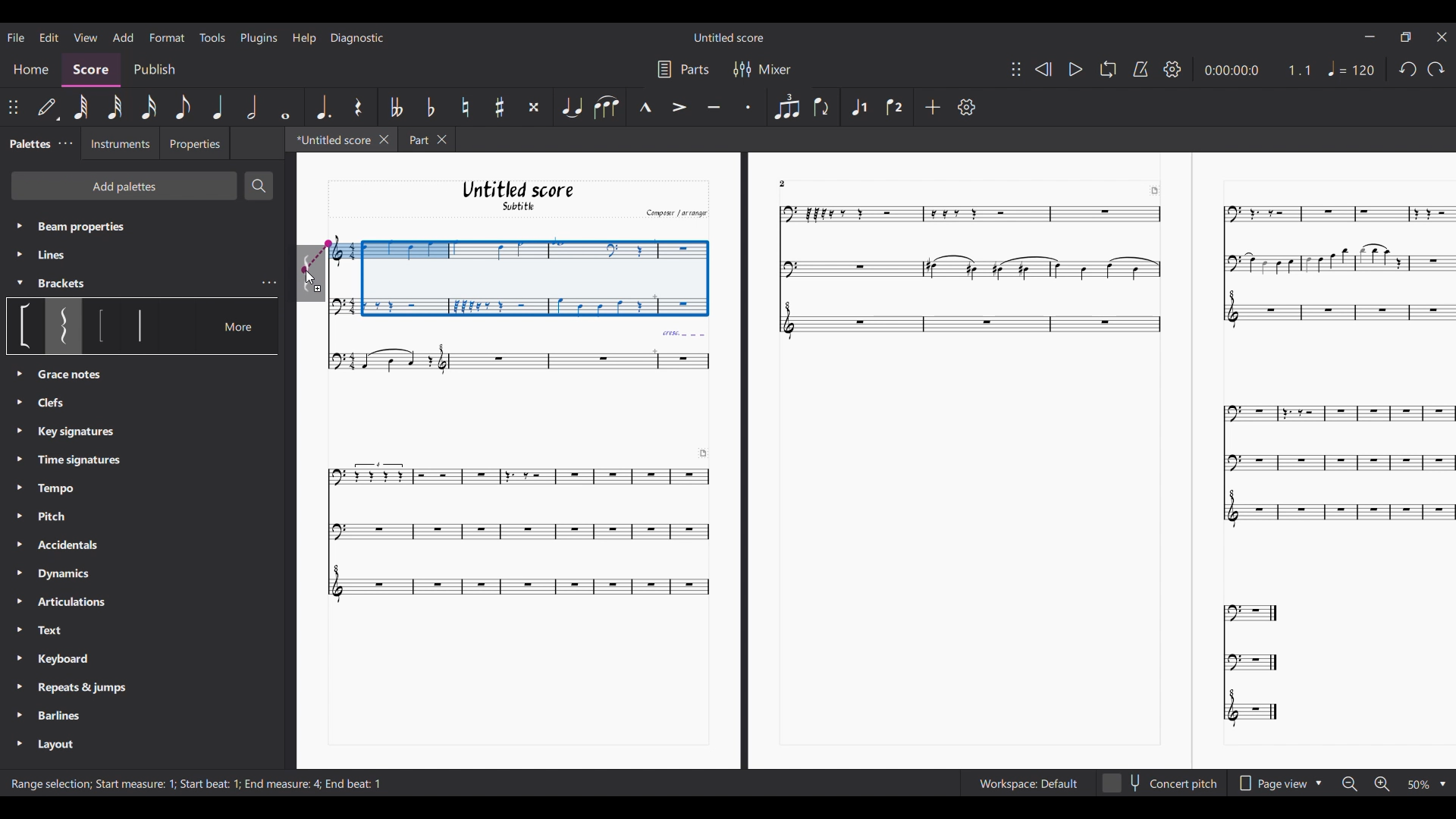 The height and width of the screenshot is (819, 1456). I want to click on Accidentals, so click(66, 547).